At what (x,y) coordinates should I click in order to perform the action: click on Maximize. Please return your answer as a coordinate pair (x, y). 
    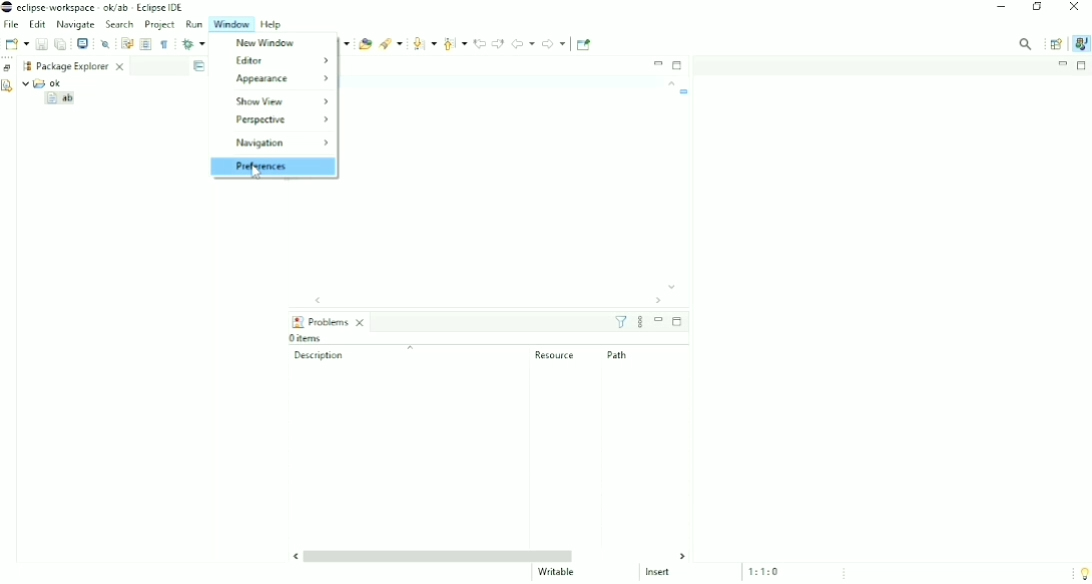
    Looking at the image, I should click on (677, 322).